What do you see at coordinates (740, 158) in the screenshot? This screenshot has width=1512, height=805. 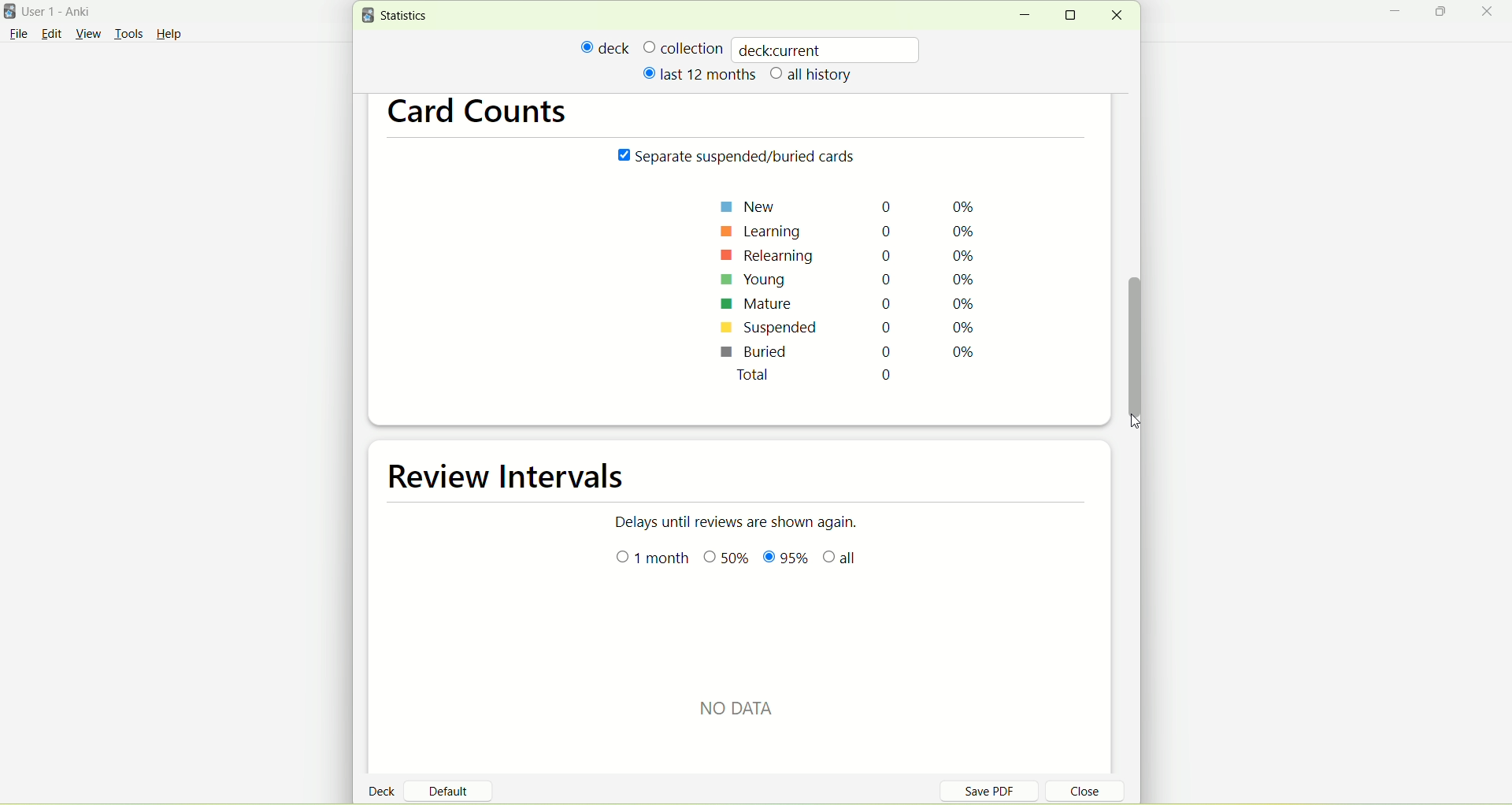 I see `Separate suspended/buried cards` at bounding box center [740, 158].